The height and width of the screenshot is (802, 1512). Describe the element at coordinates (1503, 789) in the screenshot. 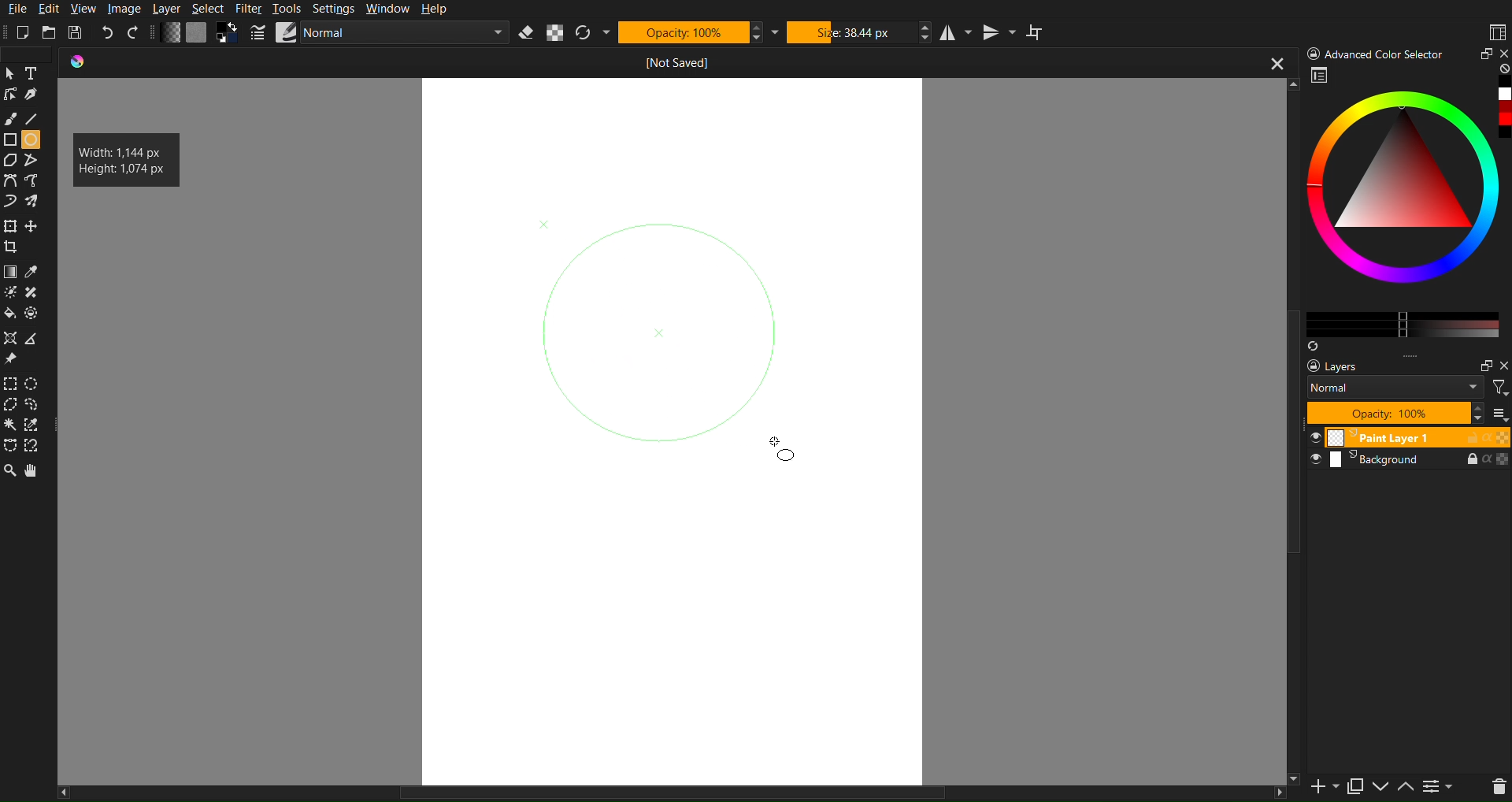

I see `del` at that location.